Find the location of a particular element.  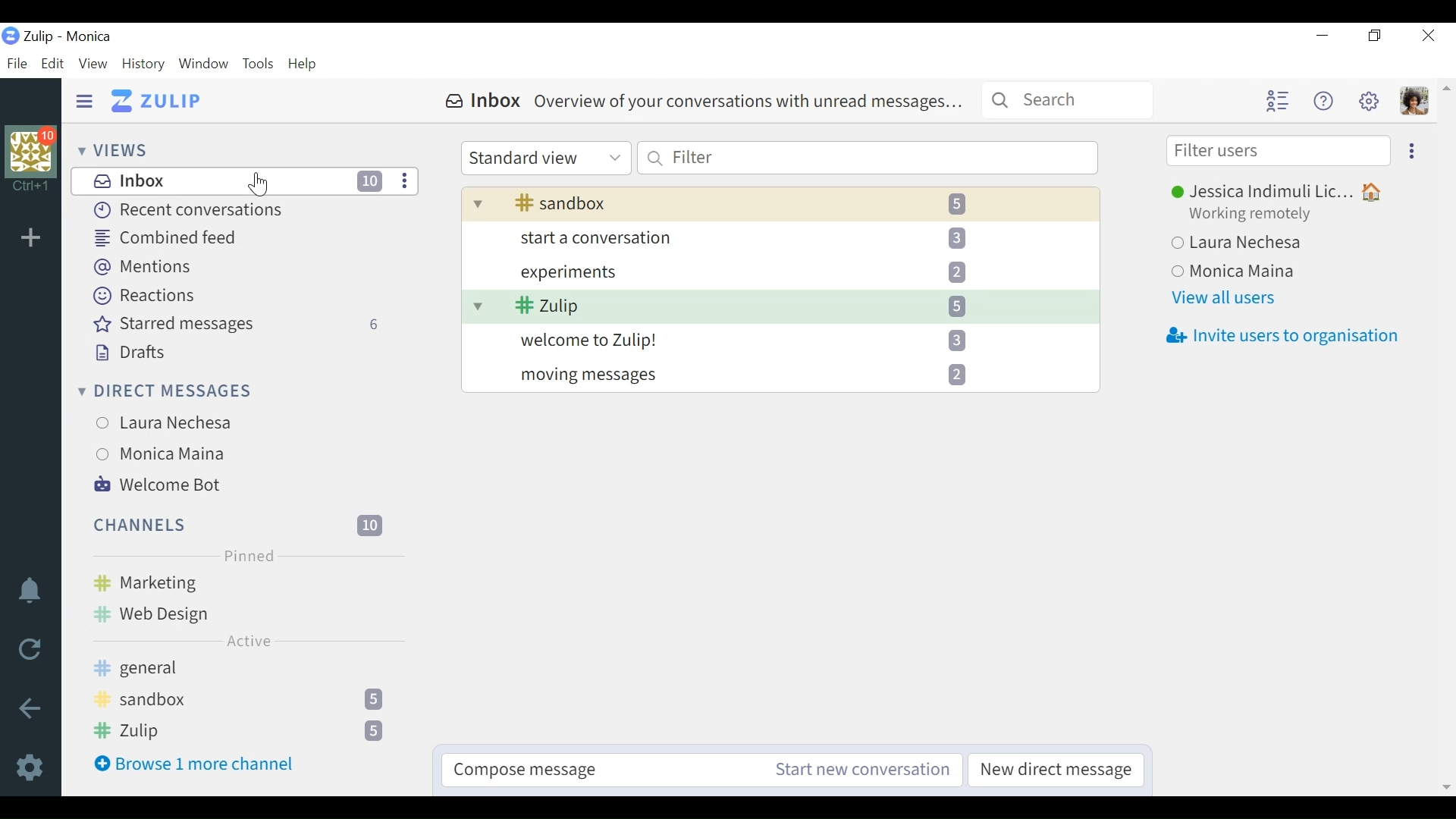

Channel is located at coordinates (242, 702).